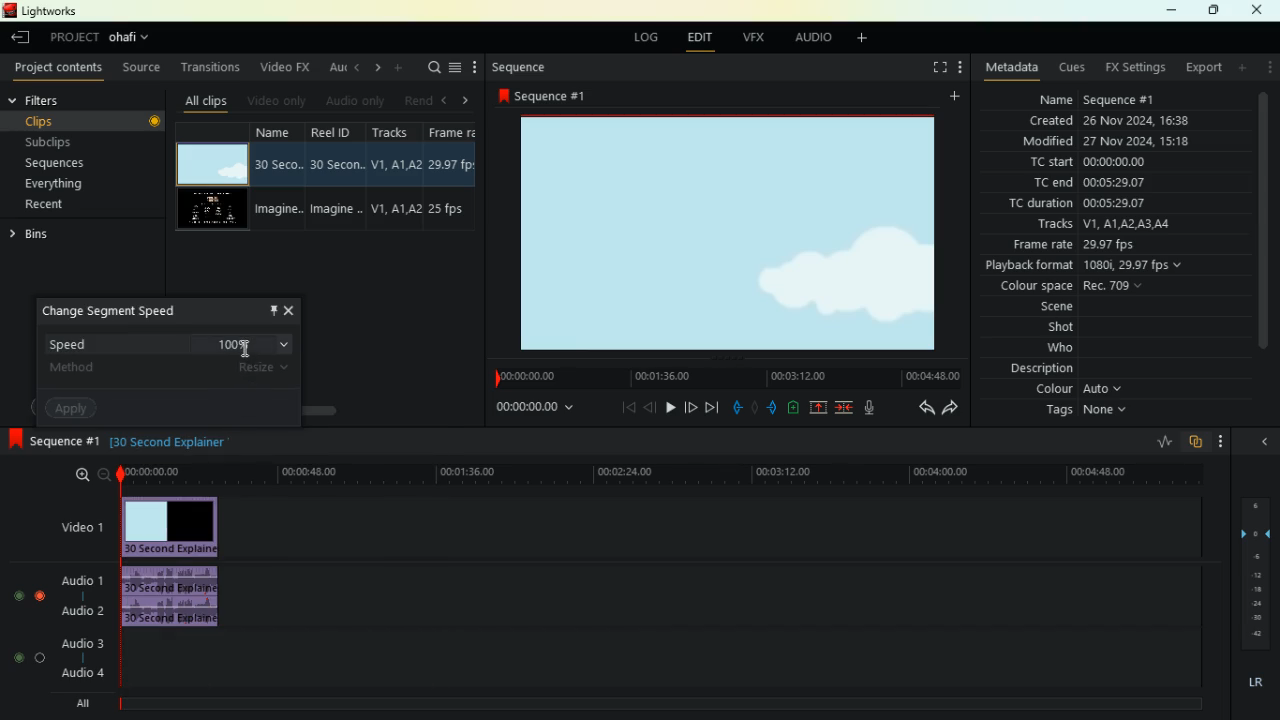 The height and width of the screenshot is (720, 1280). Describe the element at coordinates (208, 163) in the screenshot. I see `video` at that location.